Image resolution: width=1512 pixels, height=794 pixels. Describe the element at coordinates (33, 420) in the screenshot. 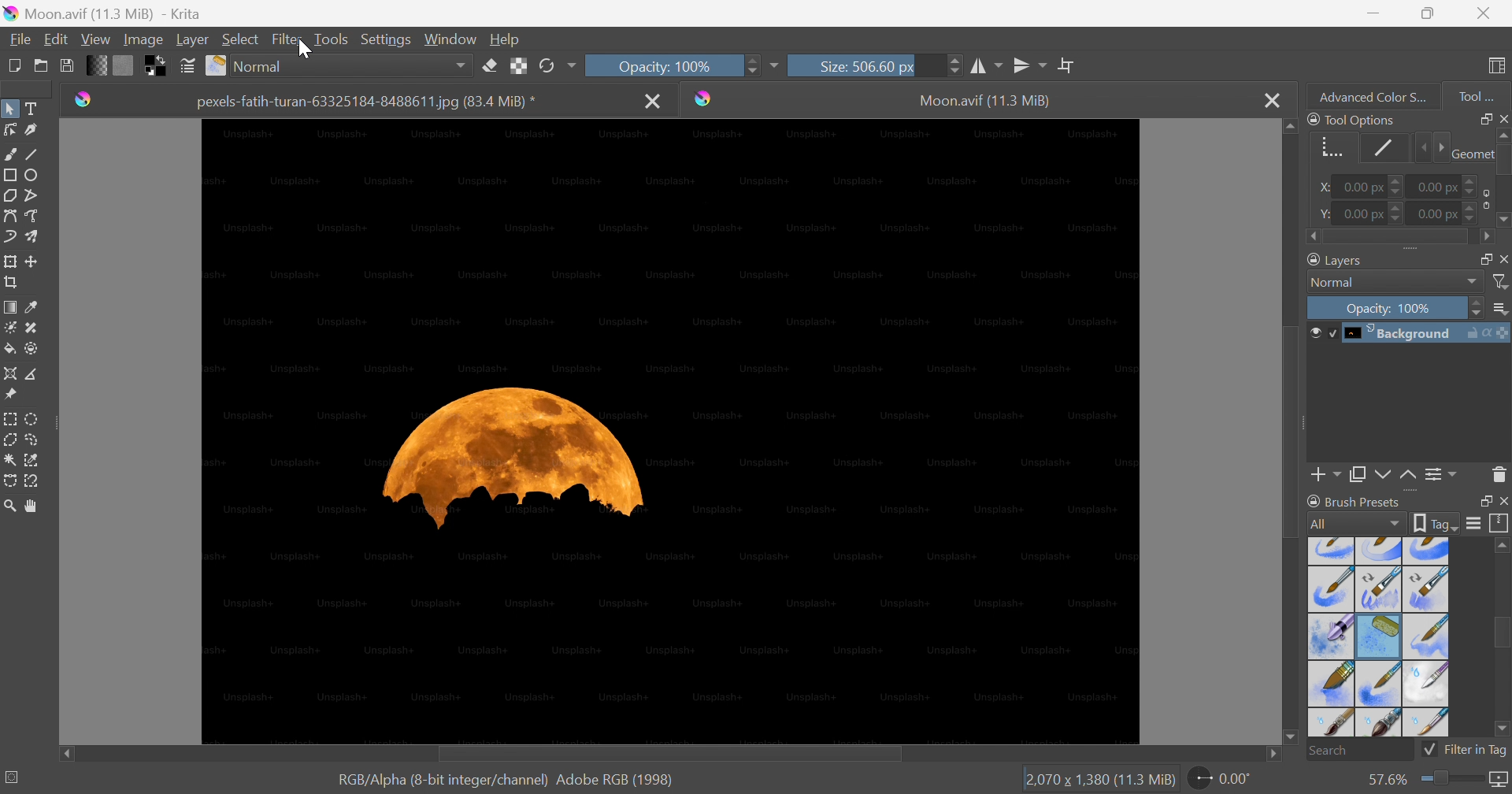

I see `Elliptical selection tool` at that location.